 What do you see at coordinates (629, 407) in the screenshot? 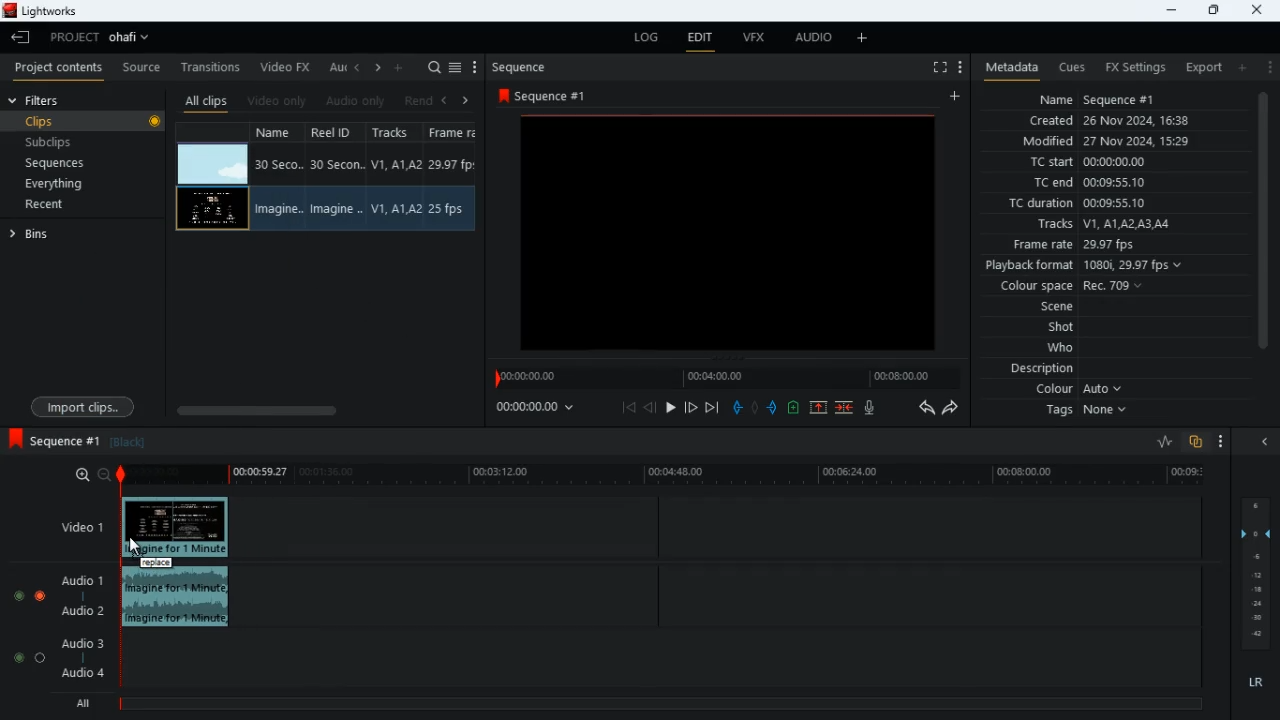
I see `beggining` at bounding box center [629, 407].